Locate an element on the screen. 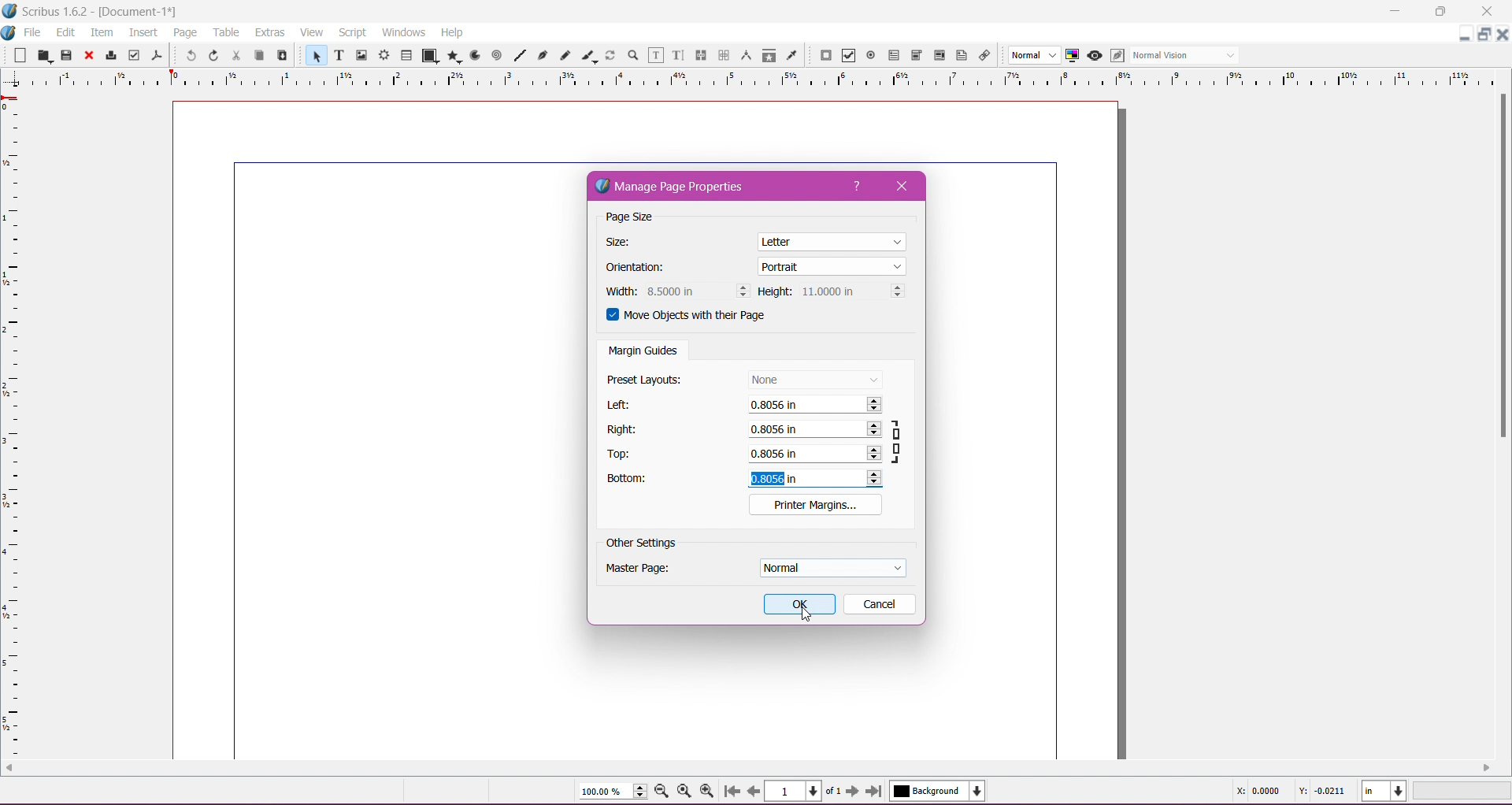  Link Annotation is located at coordinates (986, 57).